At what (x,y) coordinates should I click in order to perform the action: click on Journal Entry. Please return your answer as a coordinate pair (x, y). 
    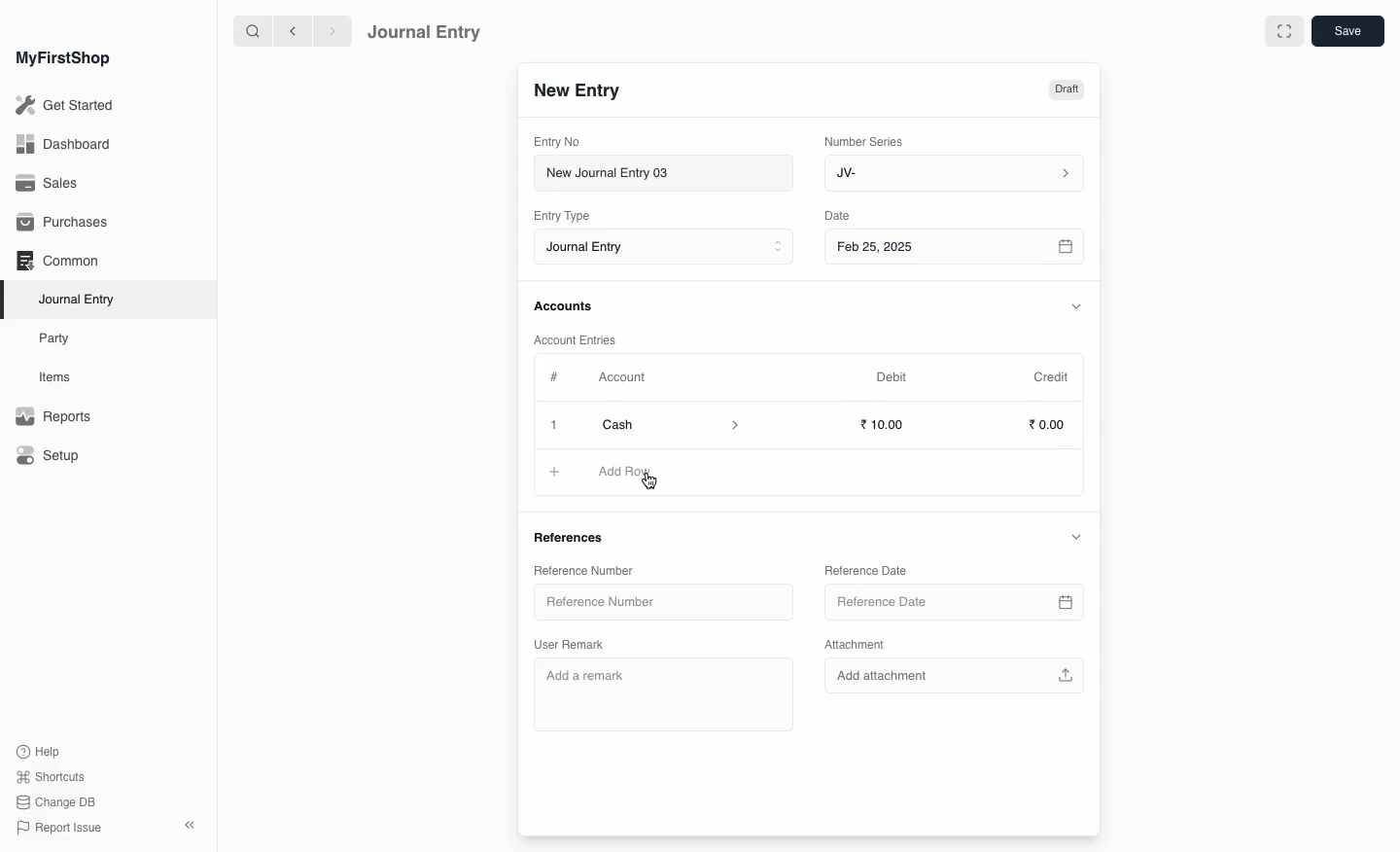
    Looking at the image, I should click on (669, 248).